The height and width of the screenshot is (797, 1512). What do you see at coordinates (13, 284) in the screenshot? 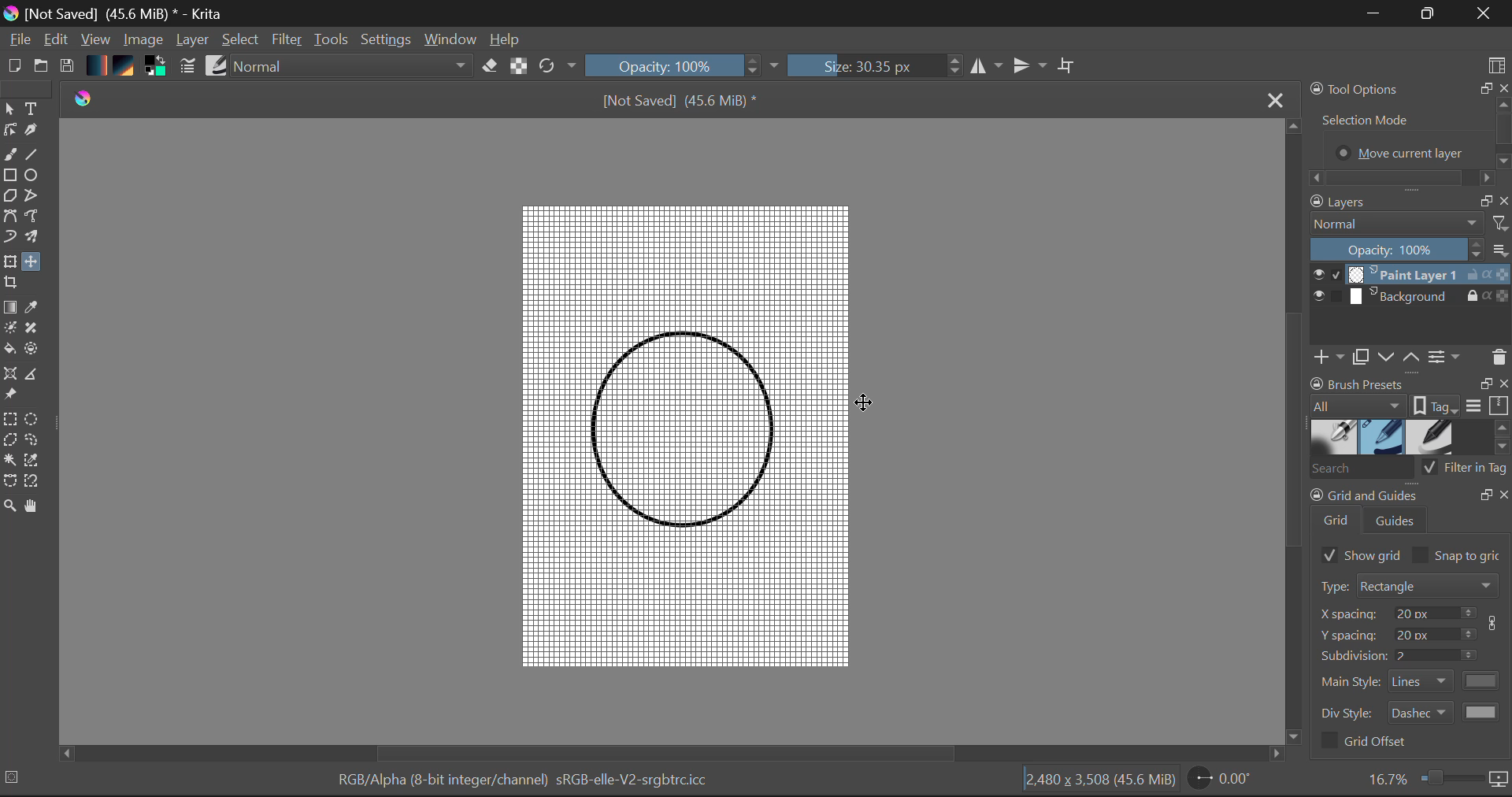
I see `Crop` at bounding box center [13, 284].